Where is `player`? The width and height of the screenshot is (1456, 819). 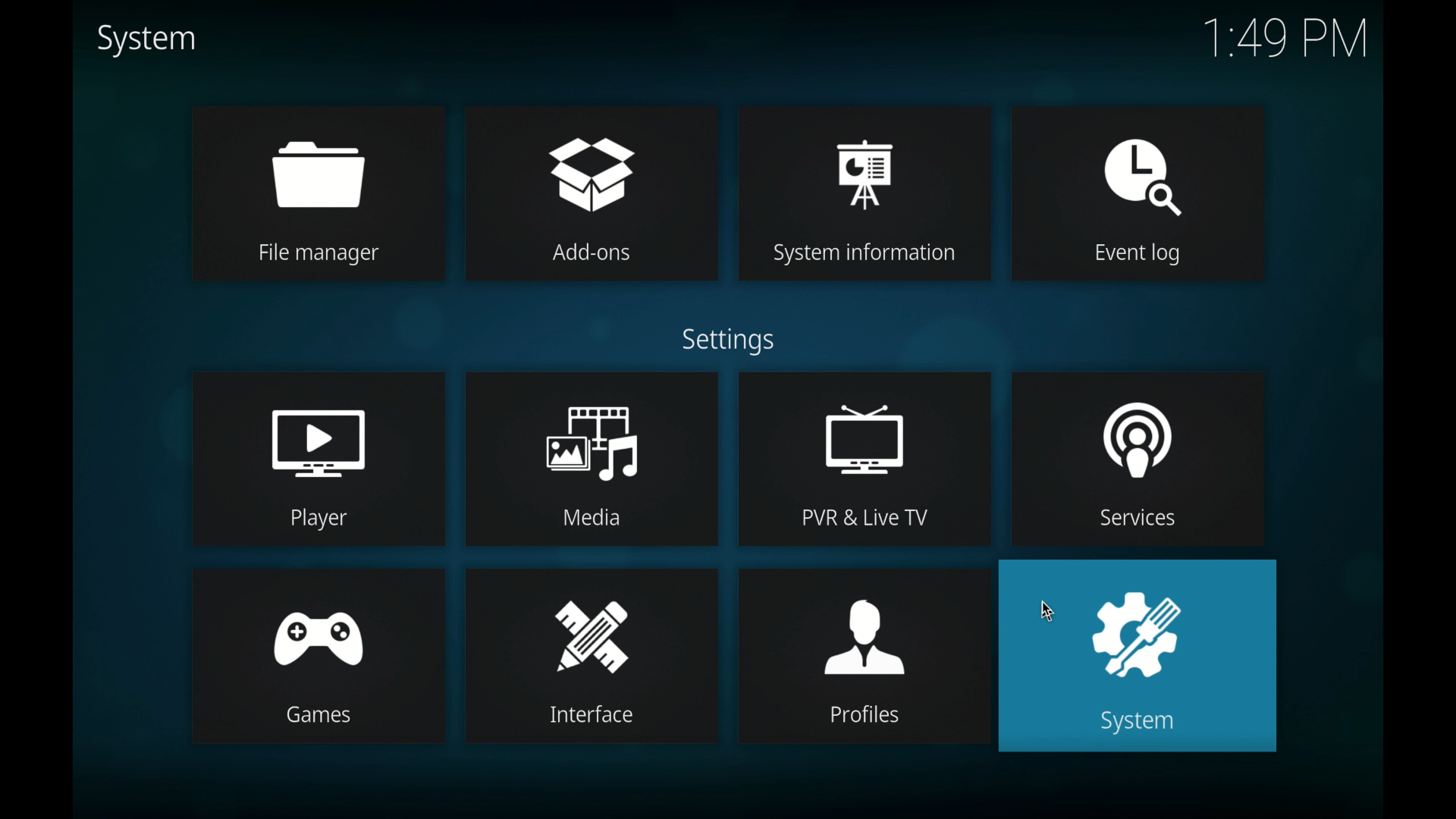 player is located at coordinates (318, 460).